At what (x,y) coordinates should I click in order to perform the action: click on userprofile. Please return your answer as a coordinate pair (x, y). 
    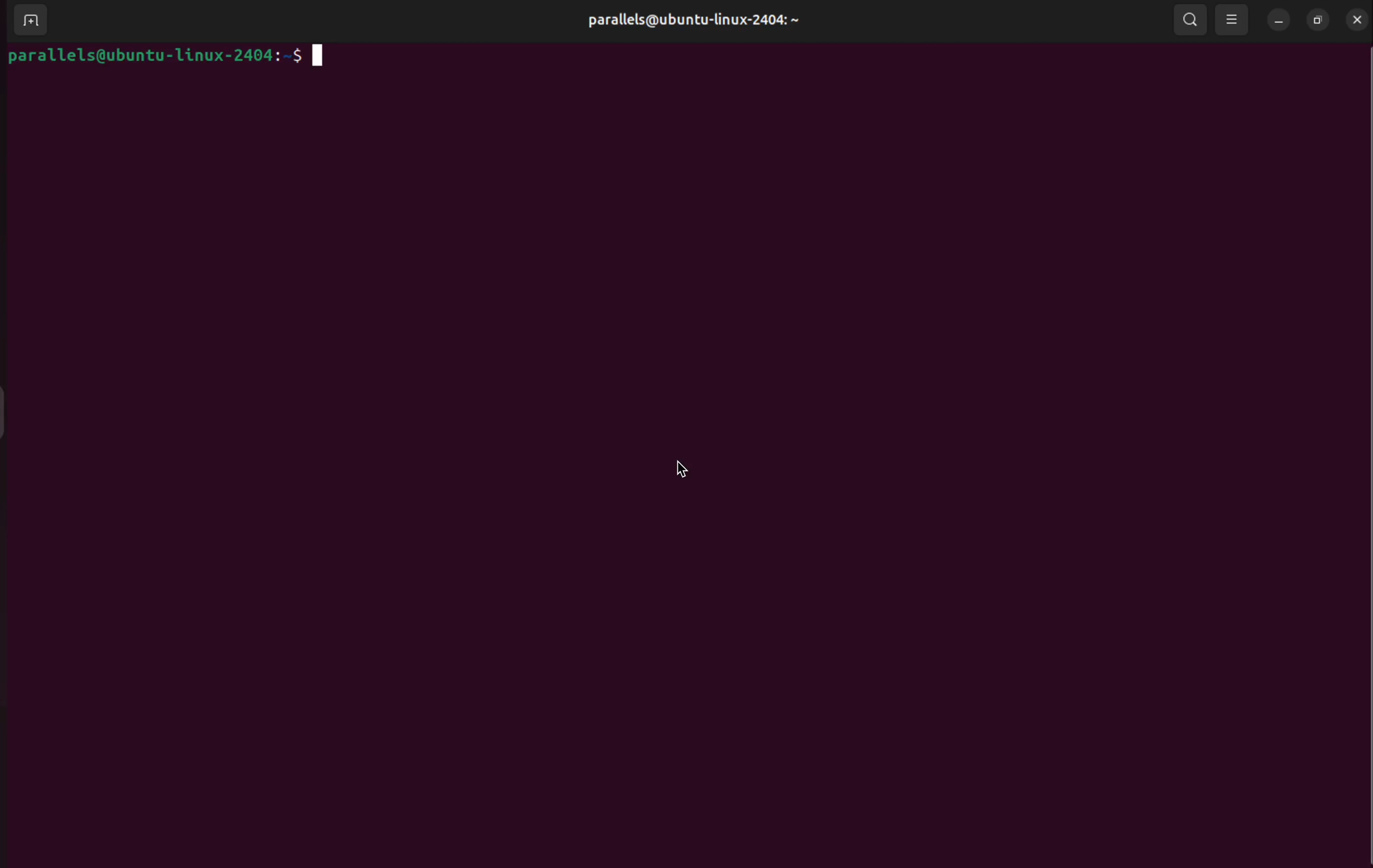
    Looking at the image, I should click on (698, 21).